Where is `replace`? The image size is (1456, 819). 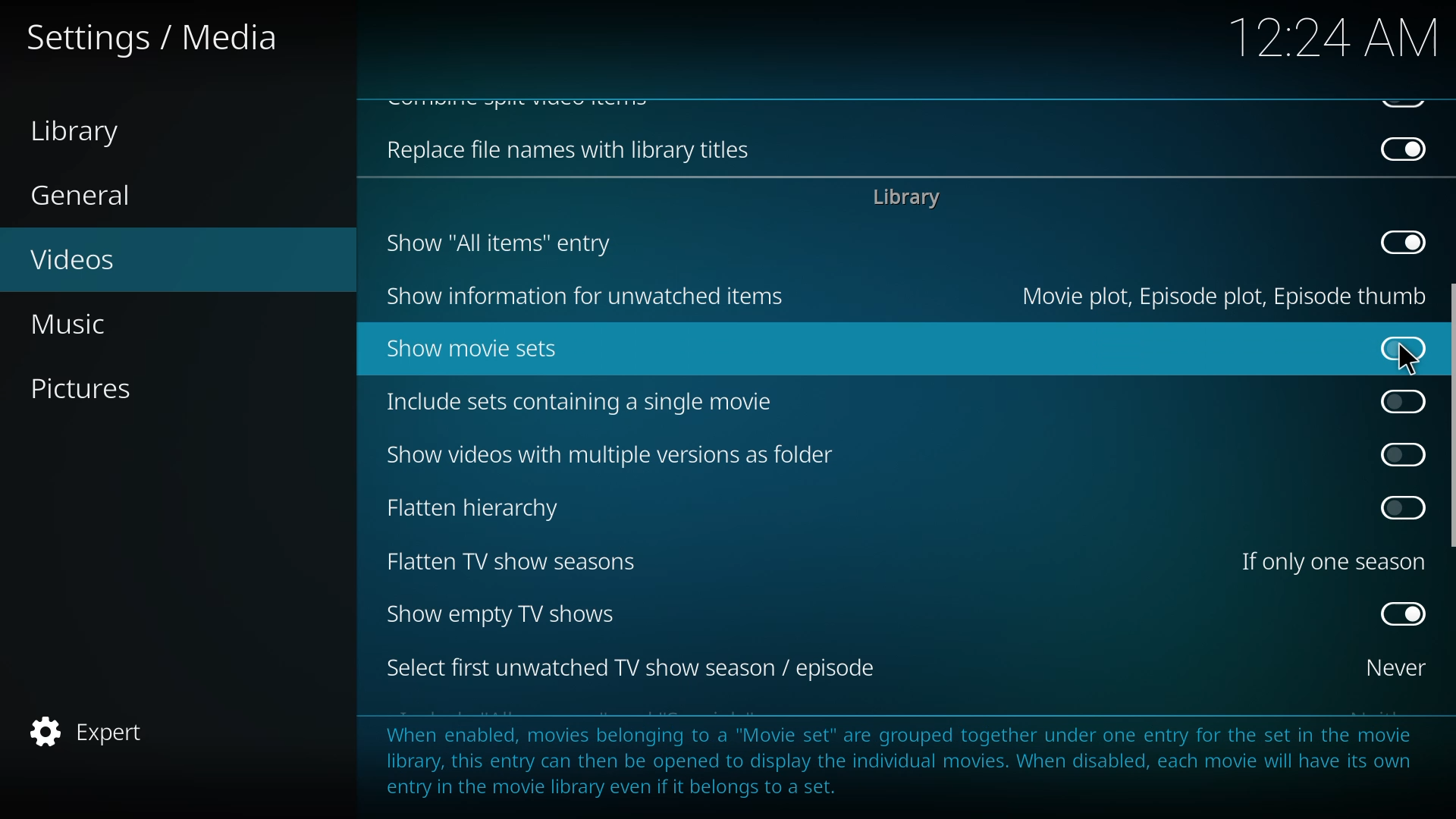 replace is located at coordinates (560, 152).